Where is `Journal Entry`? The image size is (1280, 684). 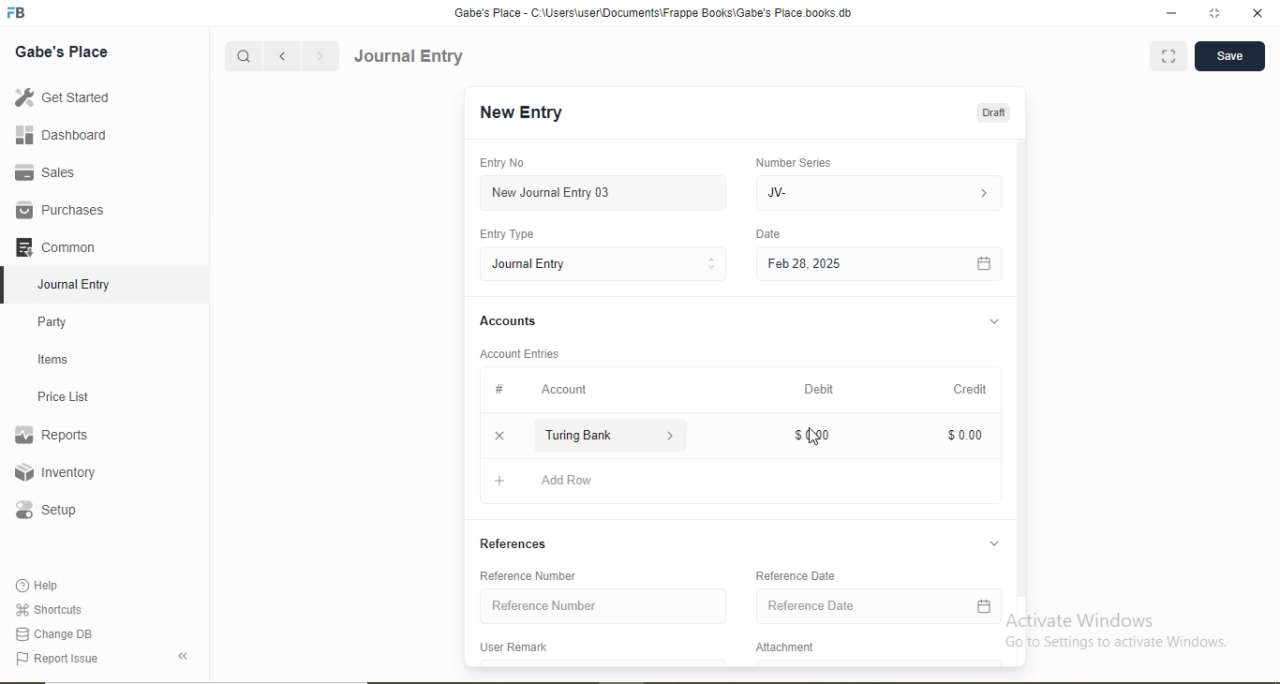 Journal Entry is located at coordinates (410, 56).